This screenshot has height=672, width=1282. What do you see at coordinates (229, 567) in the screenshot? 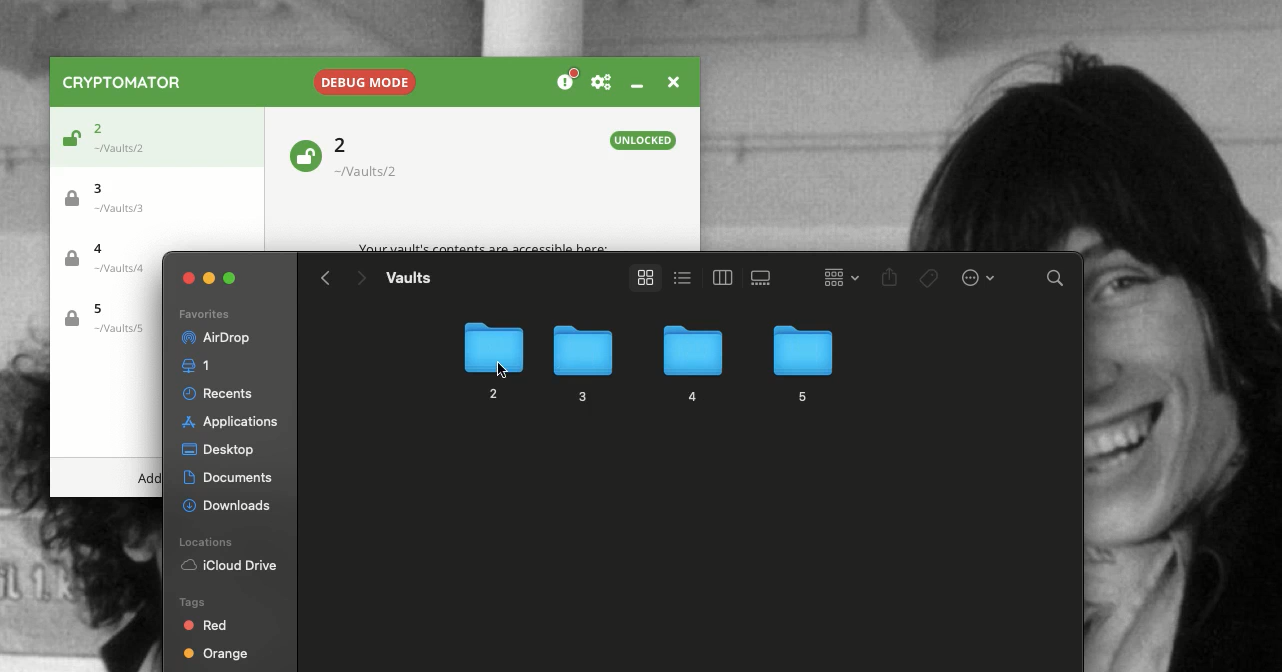
I see `iCloud Drive` at bounding box center [229, 567].